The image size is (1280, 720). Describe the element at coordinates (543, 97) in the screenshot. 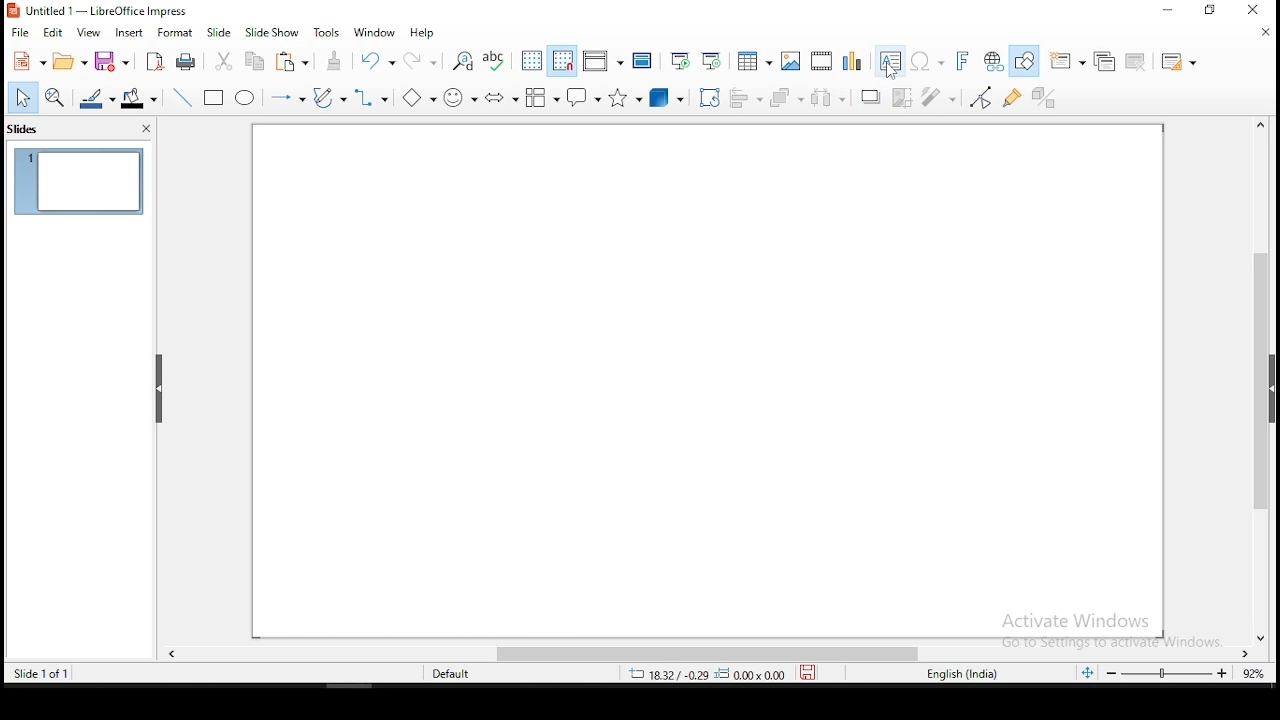

I see `flowchart` at that location.